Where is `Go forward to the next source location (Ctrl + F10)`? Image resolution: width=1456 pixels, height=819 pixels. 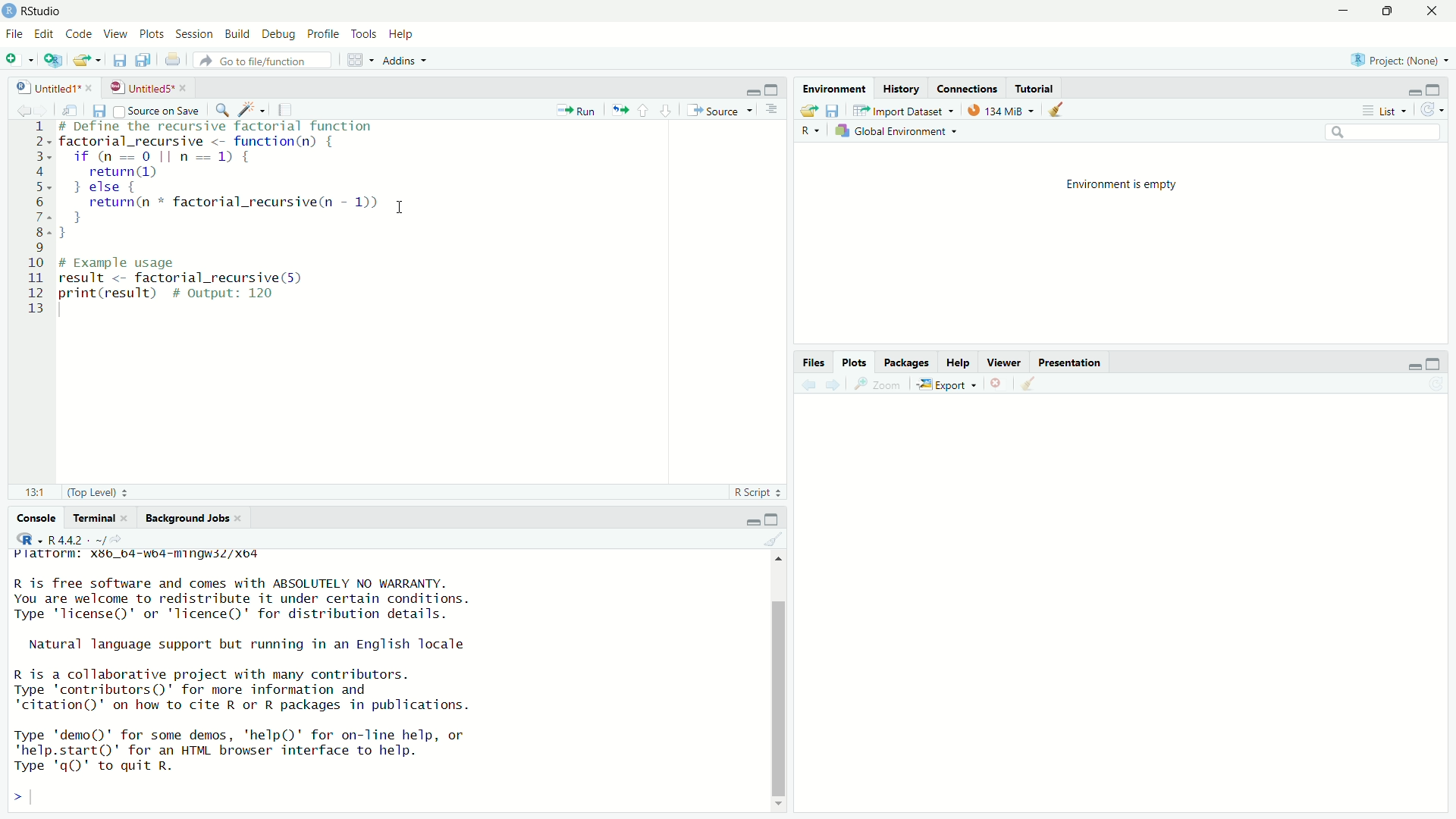
Go forward to the next source location (Ctrl + F10) is located at coordinates (47, 109).